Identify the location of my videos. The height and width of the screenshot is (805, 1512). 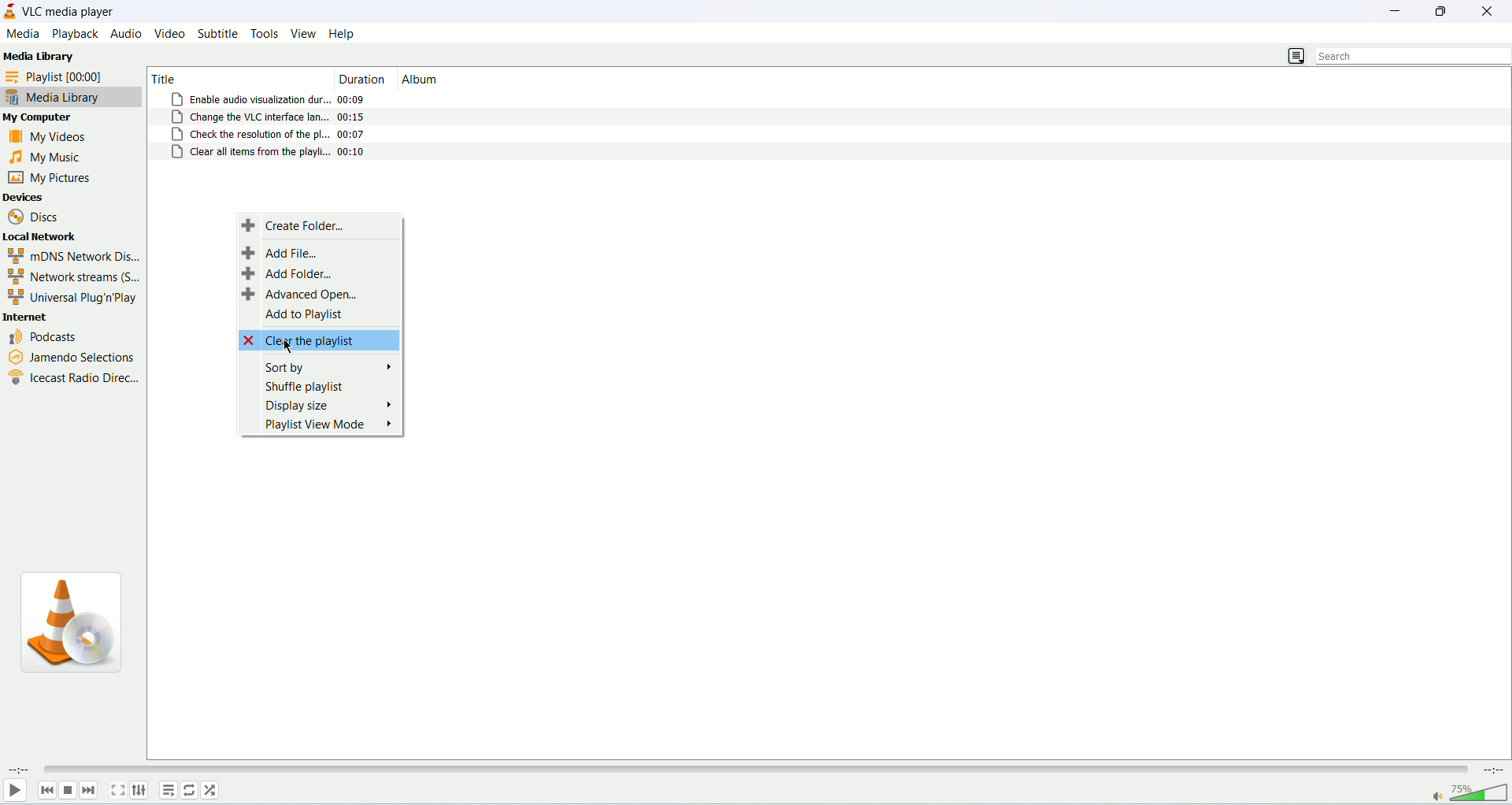
(48, 139).